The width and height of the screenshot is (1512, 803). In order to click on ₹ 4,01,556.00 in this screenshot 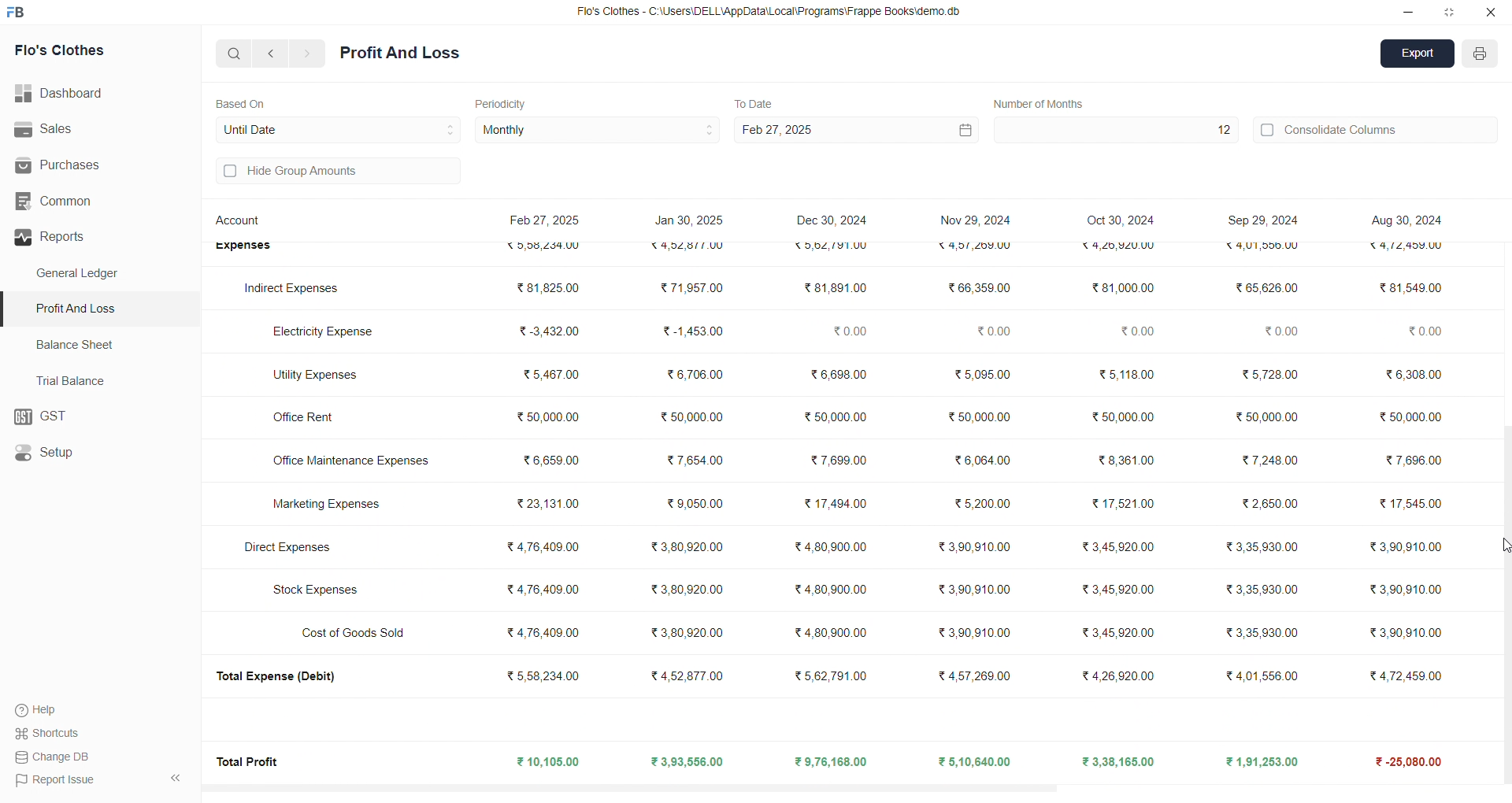, I will do `click(1252, 675)`.